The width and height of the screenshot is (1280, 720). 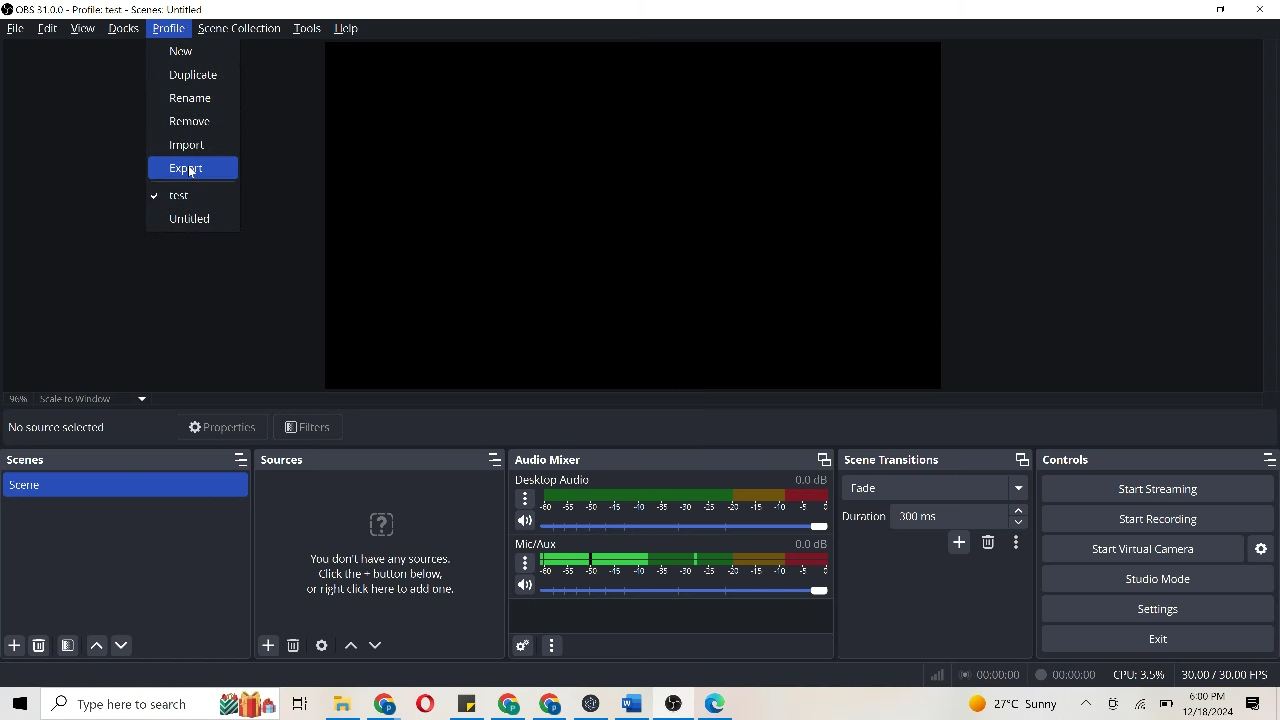 What do you see at coordinates (558, 458) in the screenshot?
I see `audio mixer` at bounding box center [558, 458].